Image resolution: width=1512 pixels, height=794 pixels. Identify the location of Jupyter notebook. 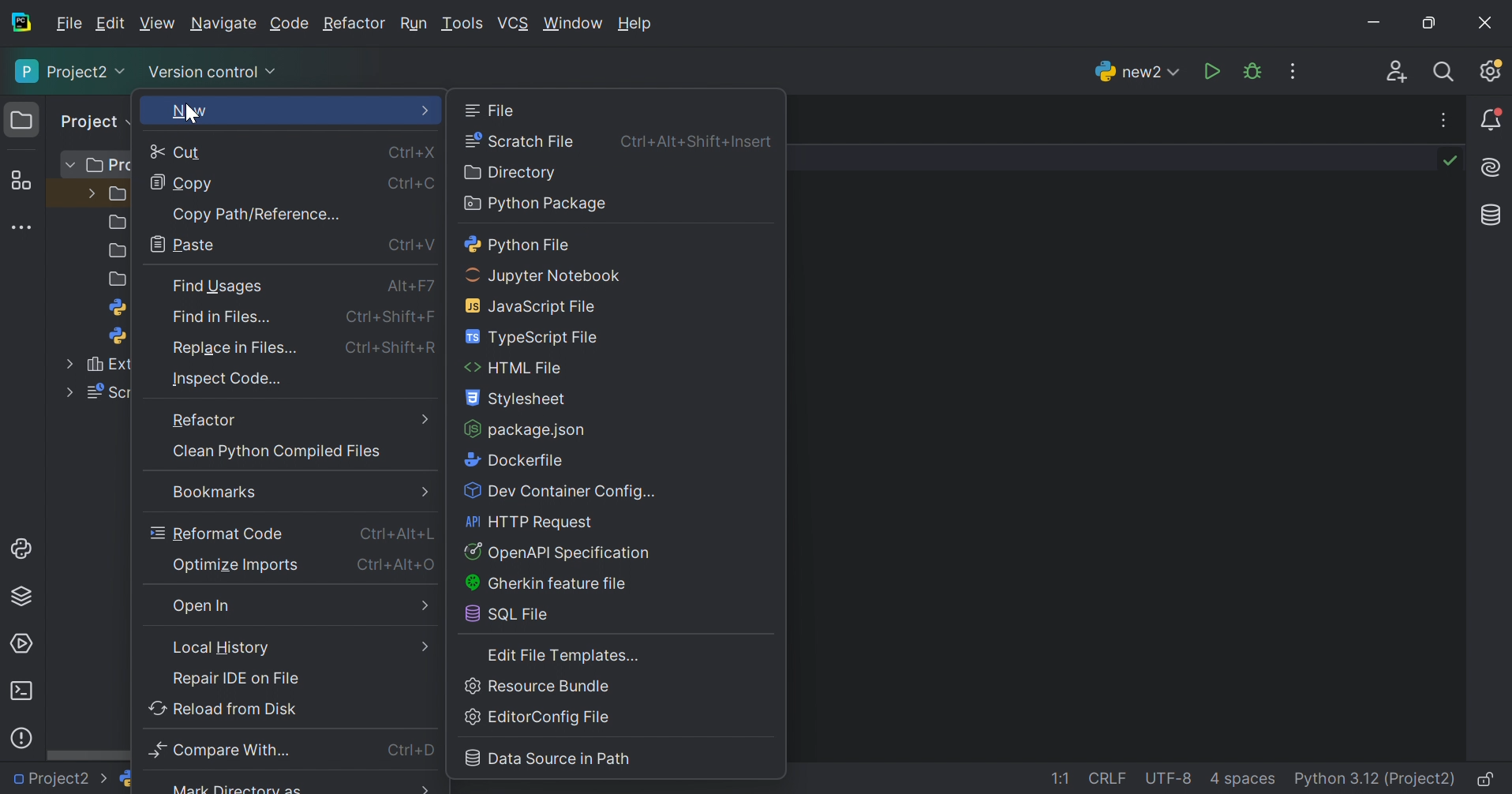
(546, 275).